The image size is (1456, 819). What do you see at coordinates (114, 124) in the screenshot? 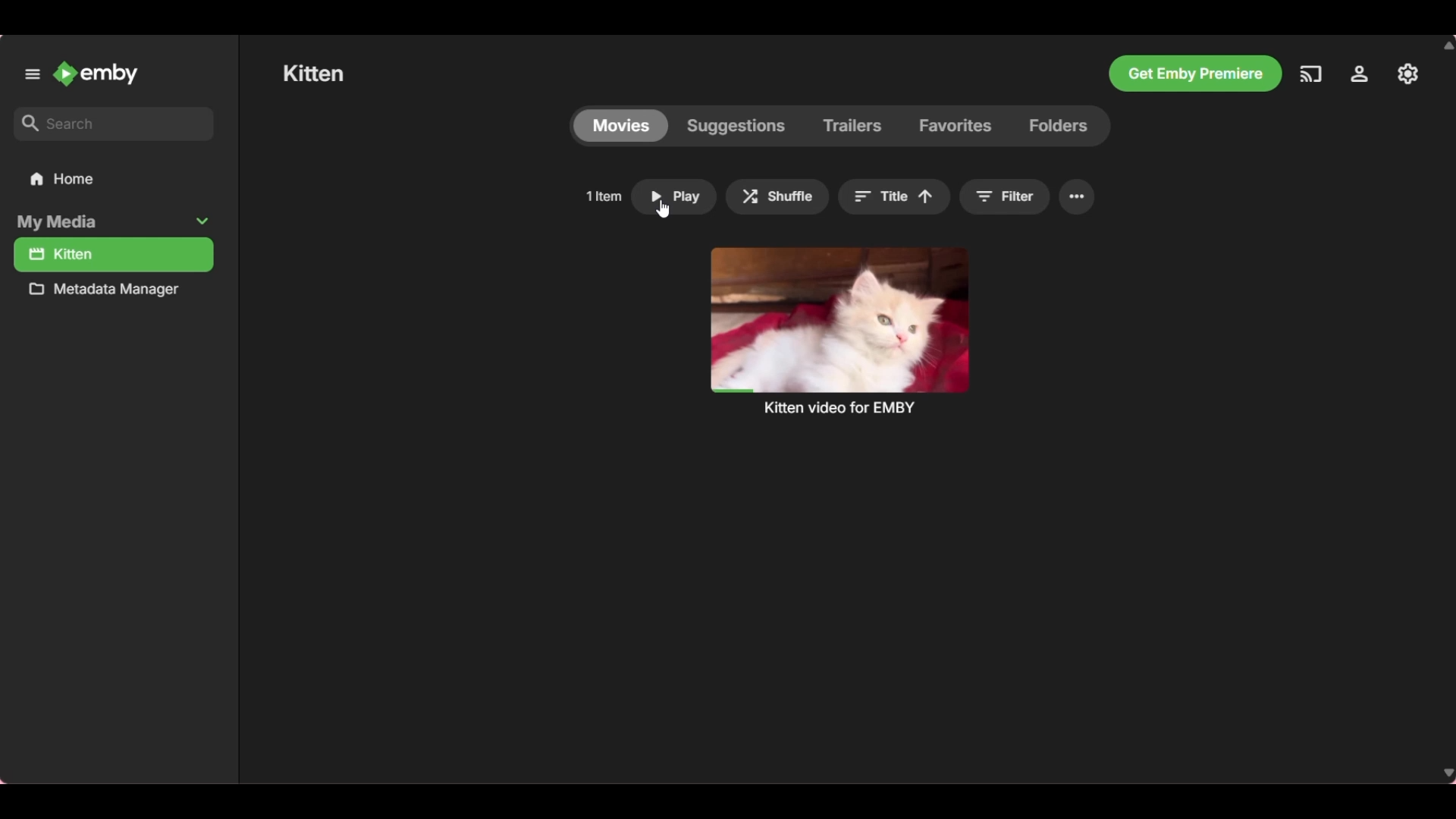
I see `search bar` at bounding box center [114, 124].